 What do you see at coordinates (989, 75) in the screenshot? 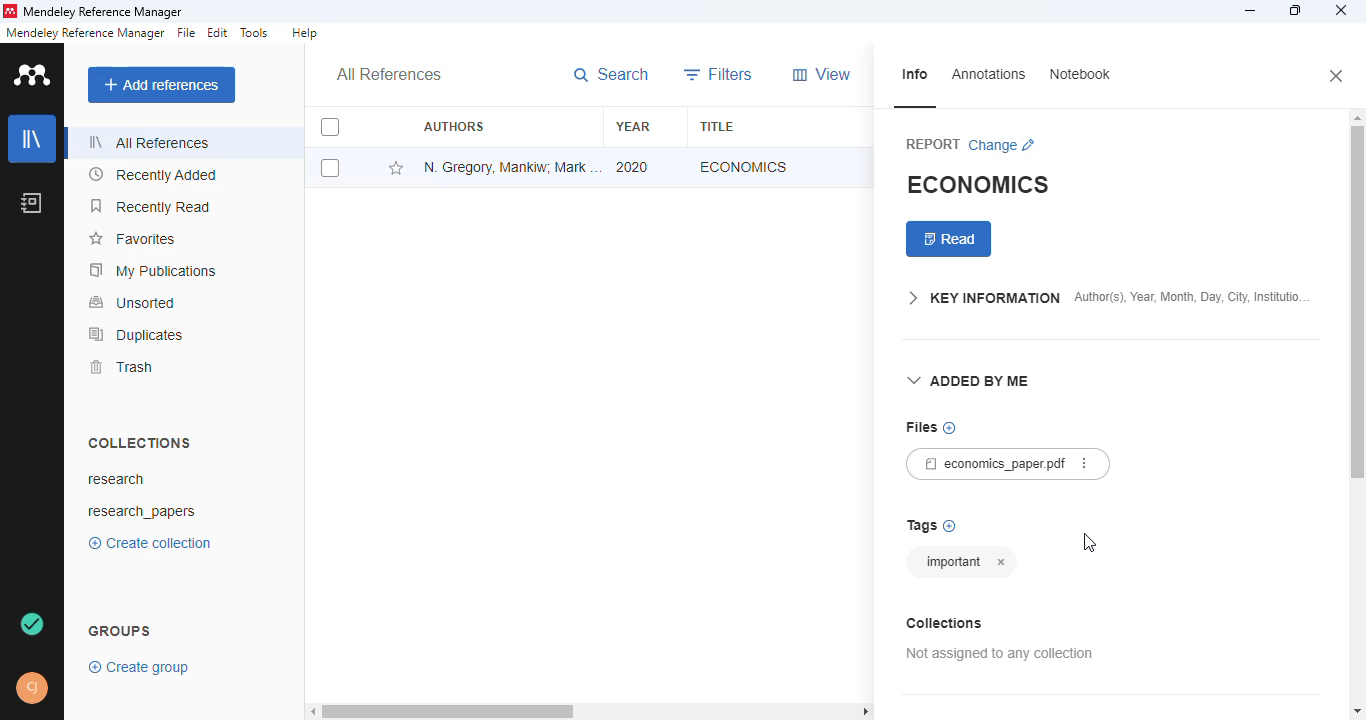
I see `annotations` at bounding box center [989, 75].